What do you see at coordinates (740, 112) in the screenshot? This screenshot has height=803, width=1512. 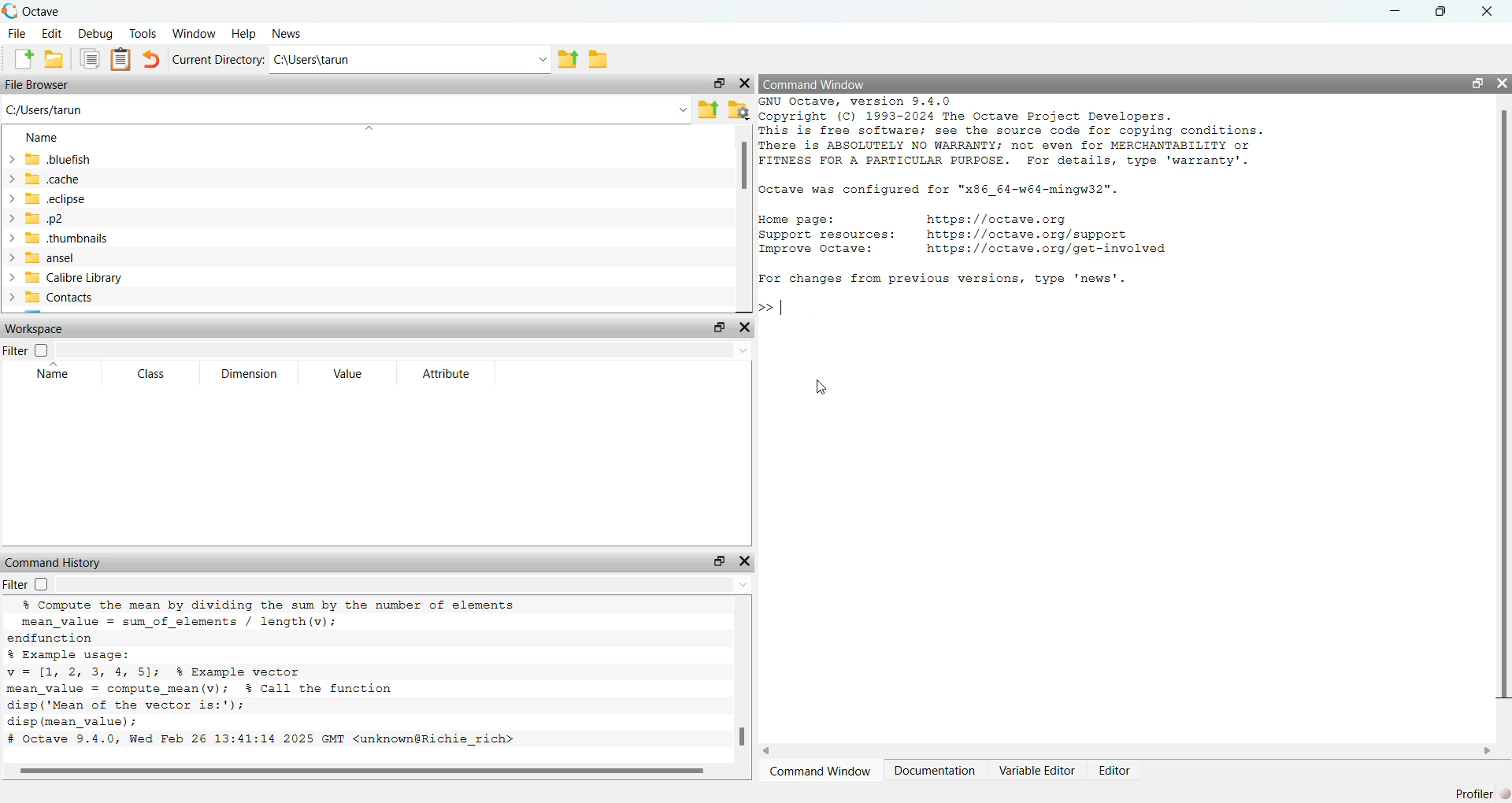 I see `folder settings` at bounding box center [740, 112].